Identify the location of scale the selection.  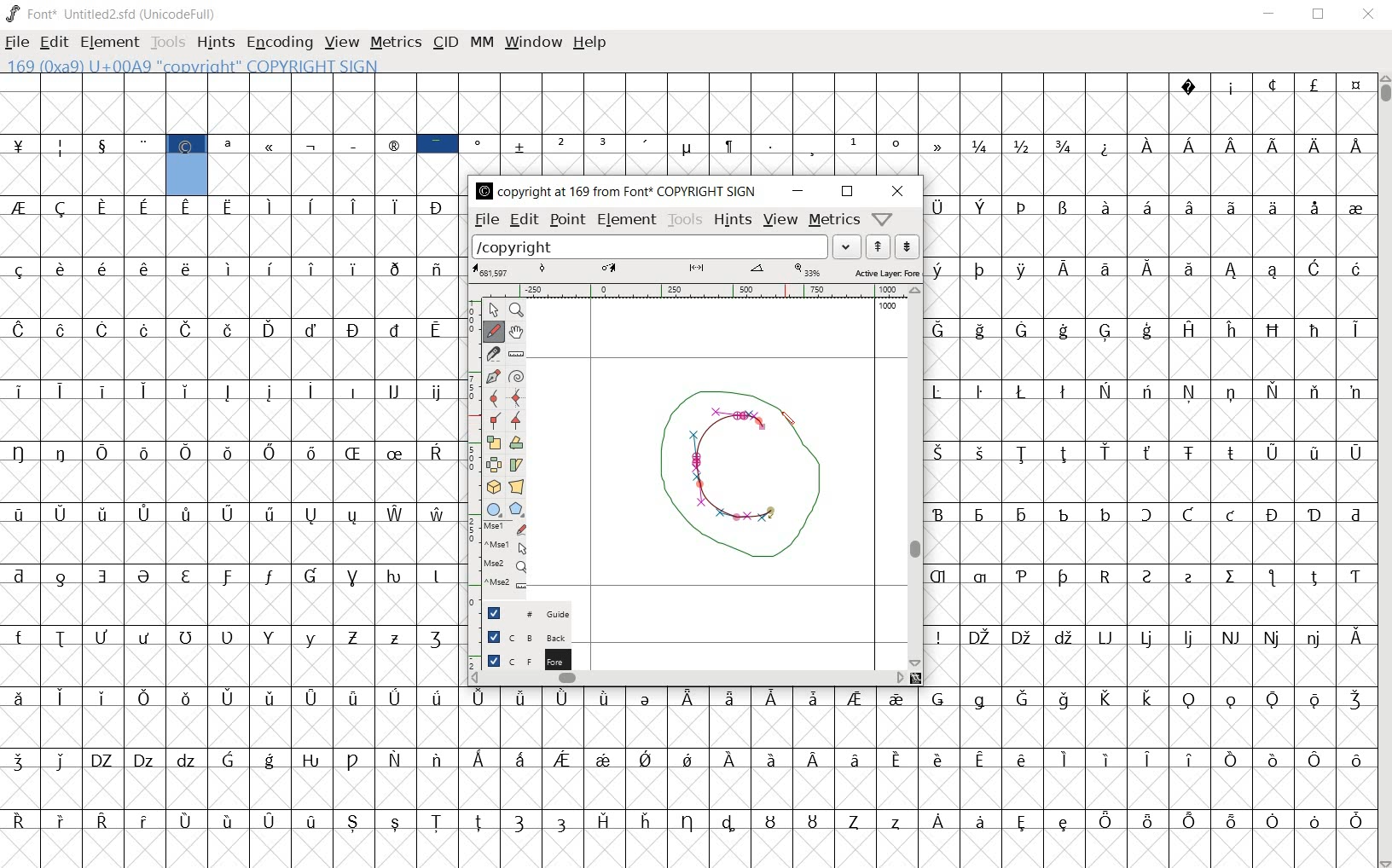
(494, 443).